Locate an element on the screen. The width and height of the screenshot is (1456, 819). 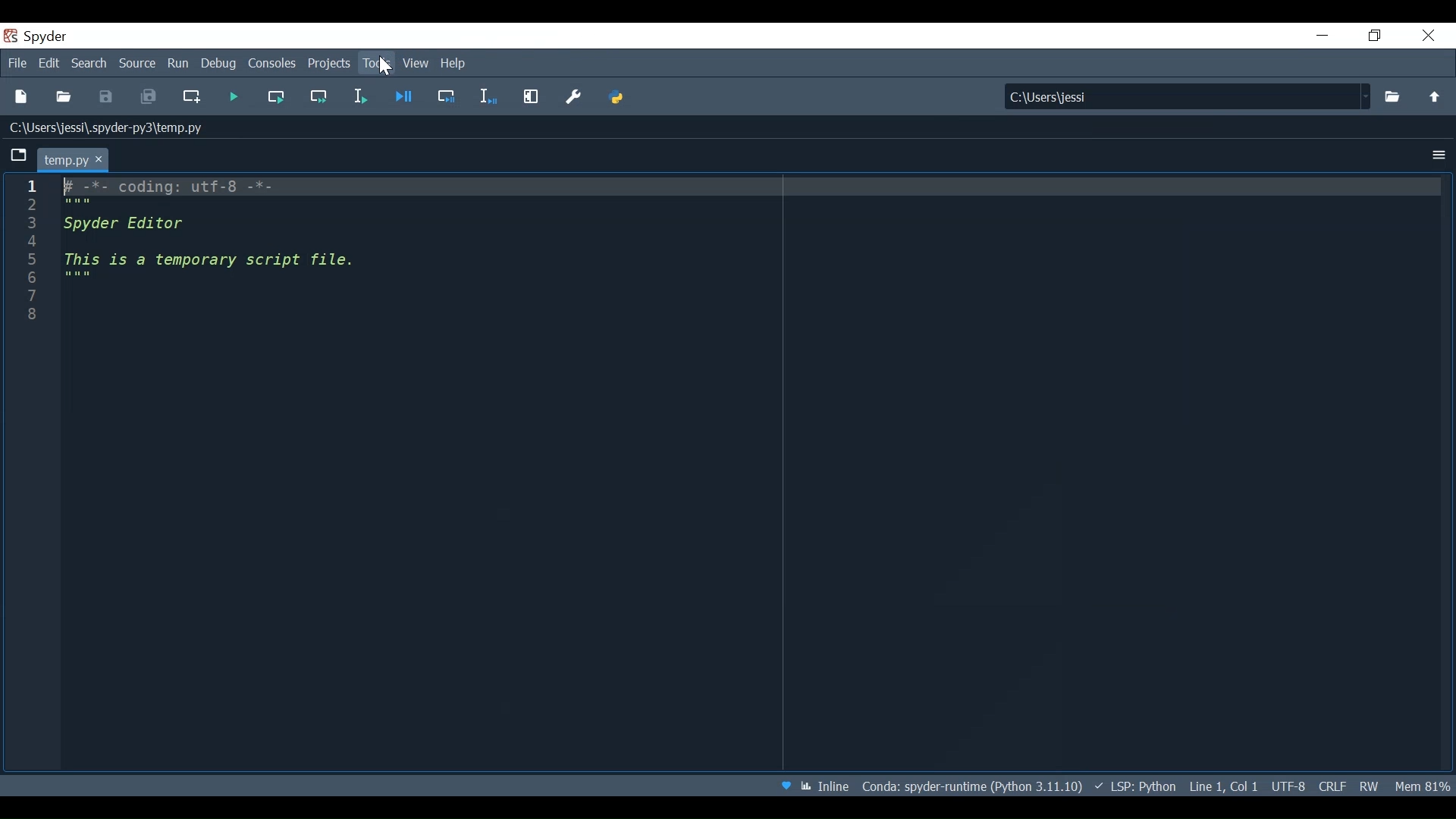
Cursor Position is located at coordinates (1222, 786).